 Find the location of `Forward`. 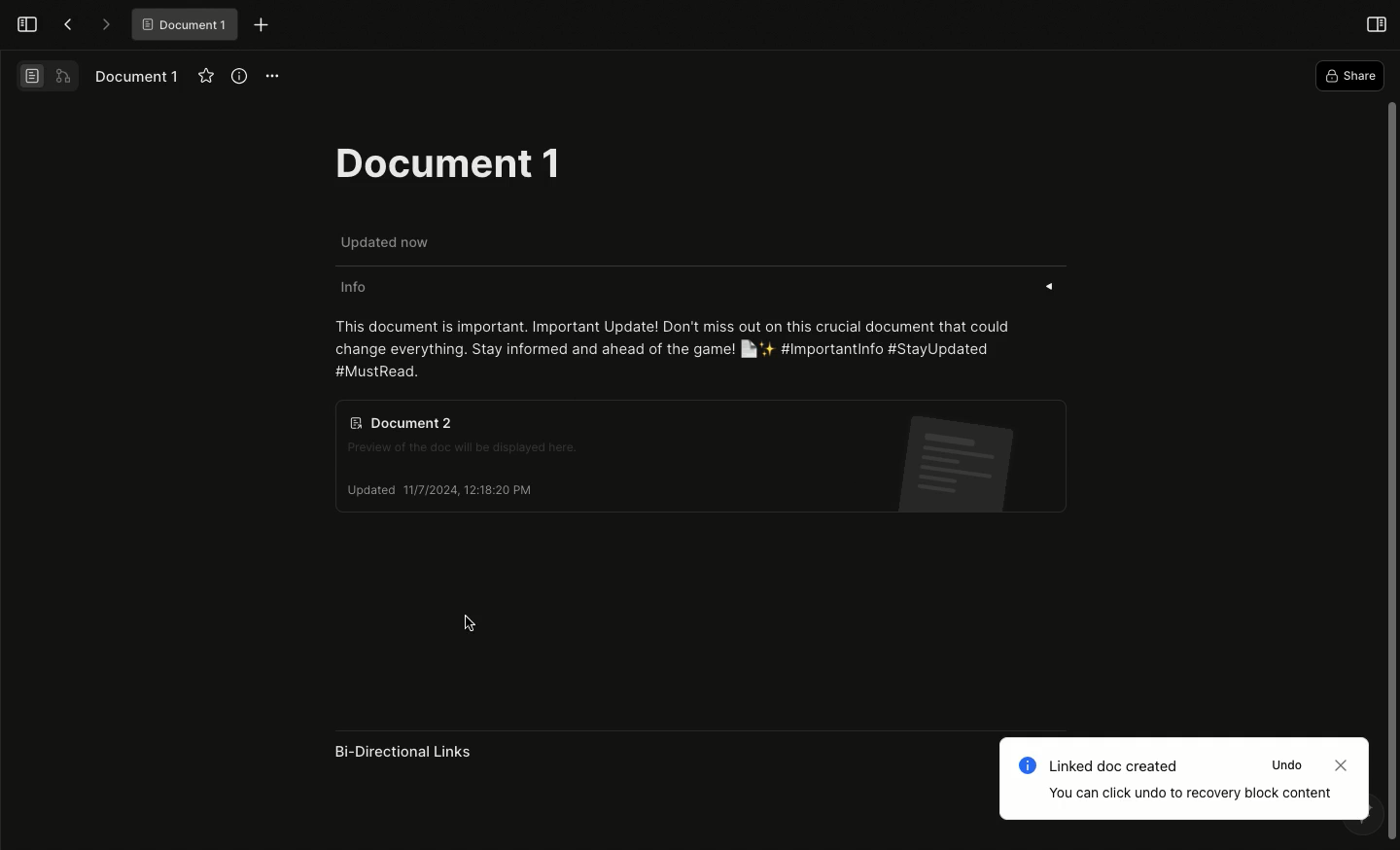

Forward is located at coordinates (104, 24).